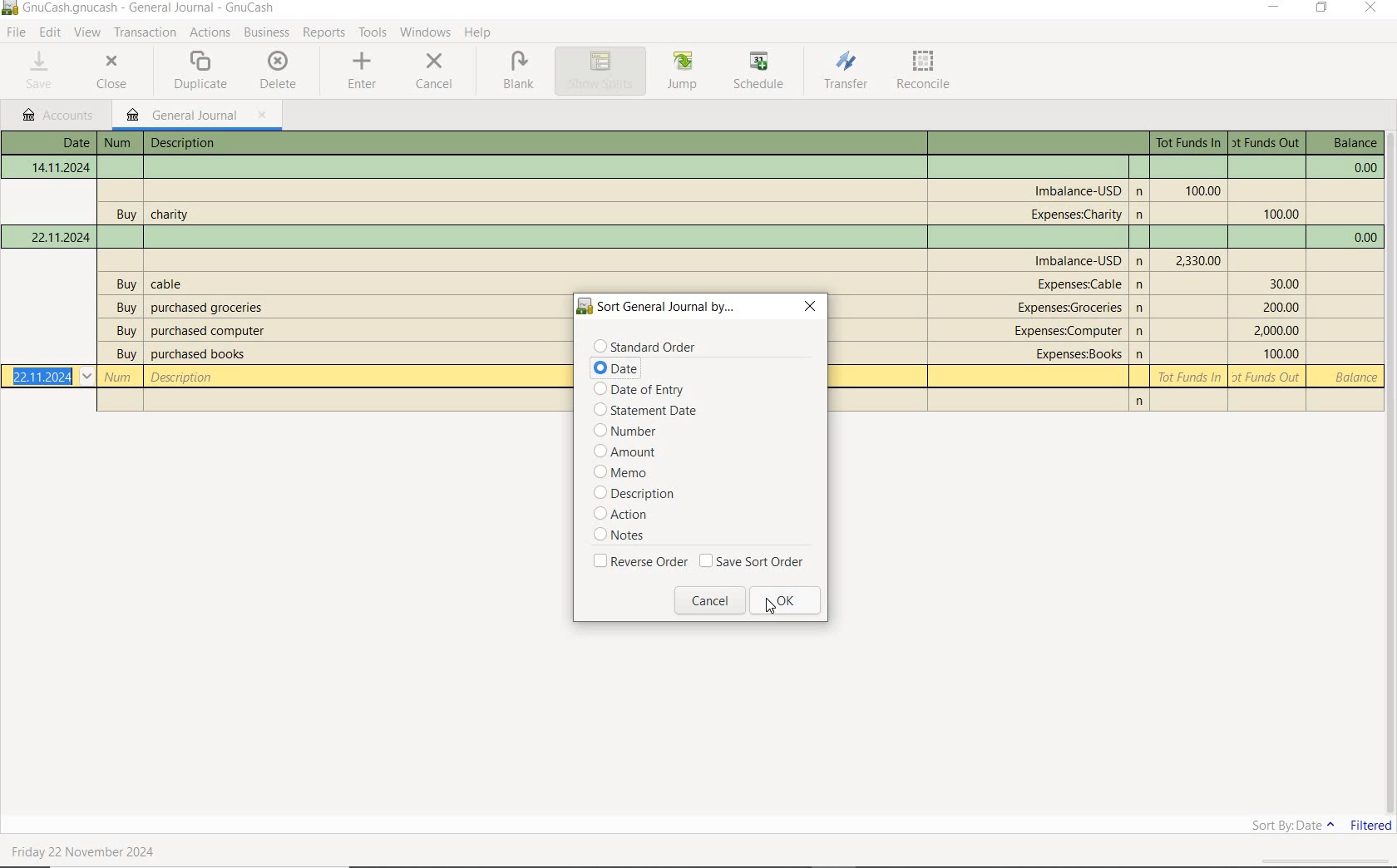  What do you see at coordinates (148, 32) in the screenshot?
I see `transactions` at bounding box center [148, 32].